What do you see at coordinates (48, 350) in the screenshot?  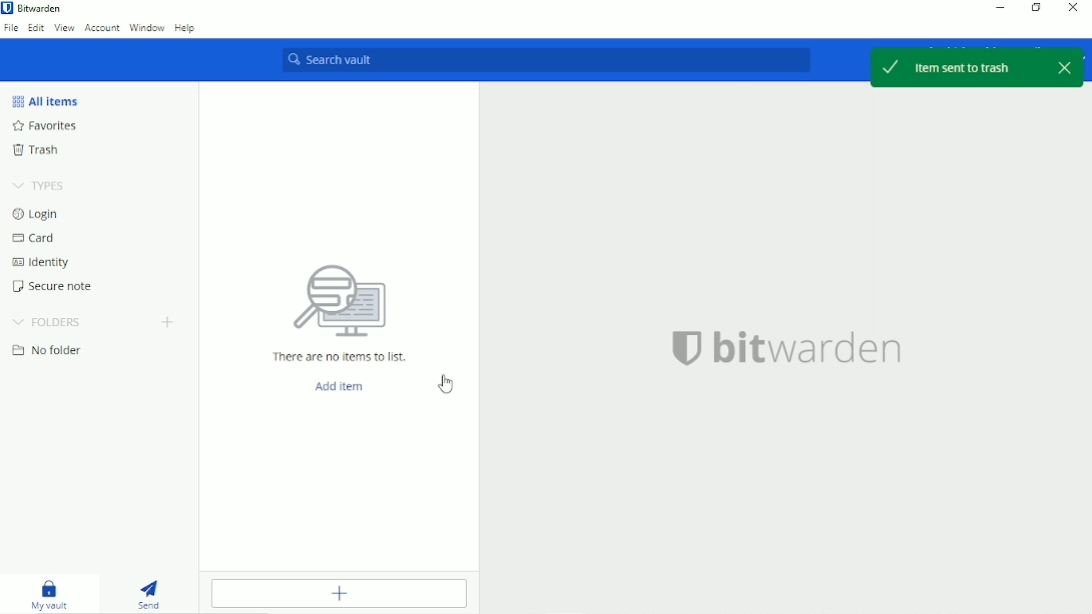 I see `No folder` at bounding box center [48, 350].